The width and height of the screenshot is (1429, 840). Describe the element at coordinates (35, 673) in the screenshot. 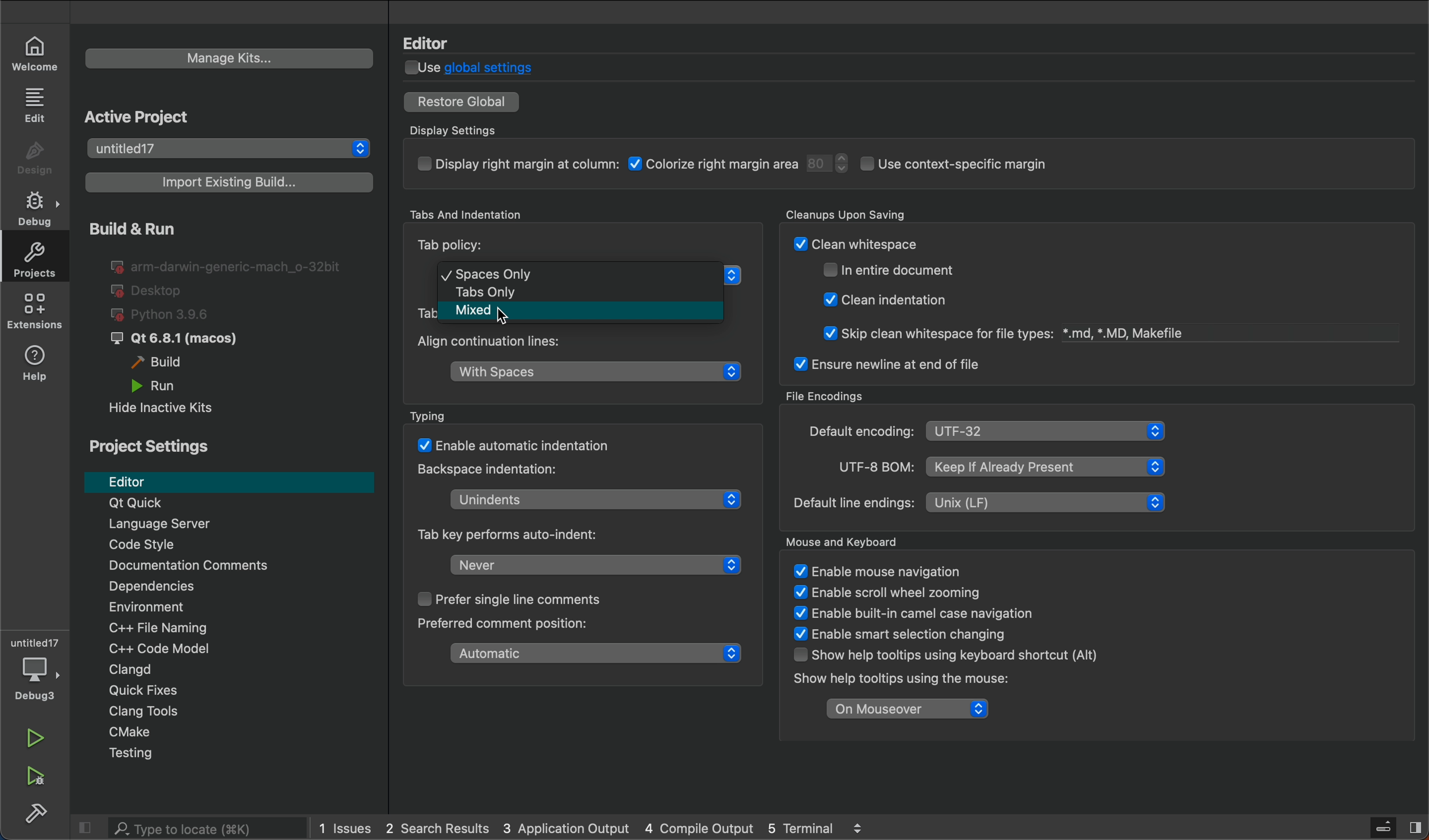

I see `debuger` at that location.